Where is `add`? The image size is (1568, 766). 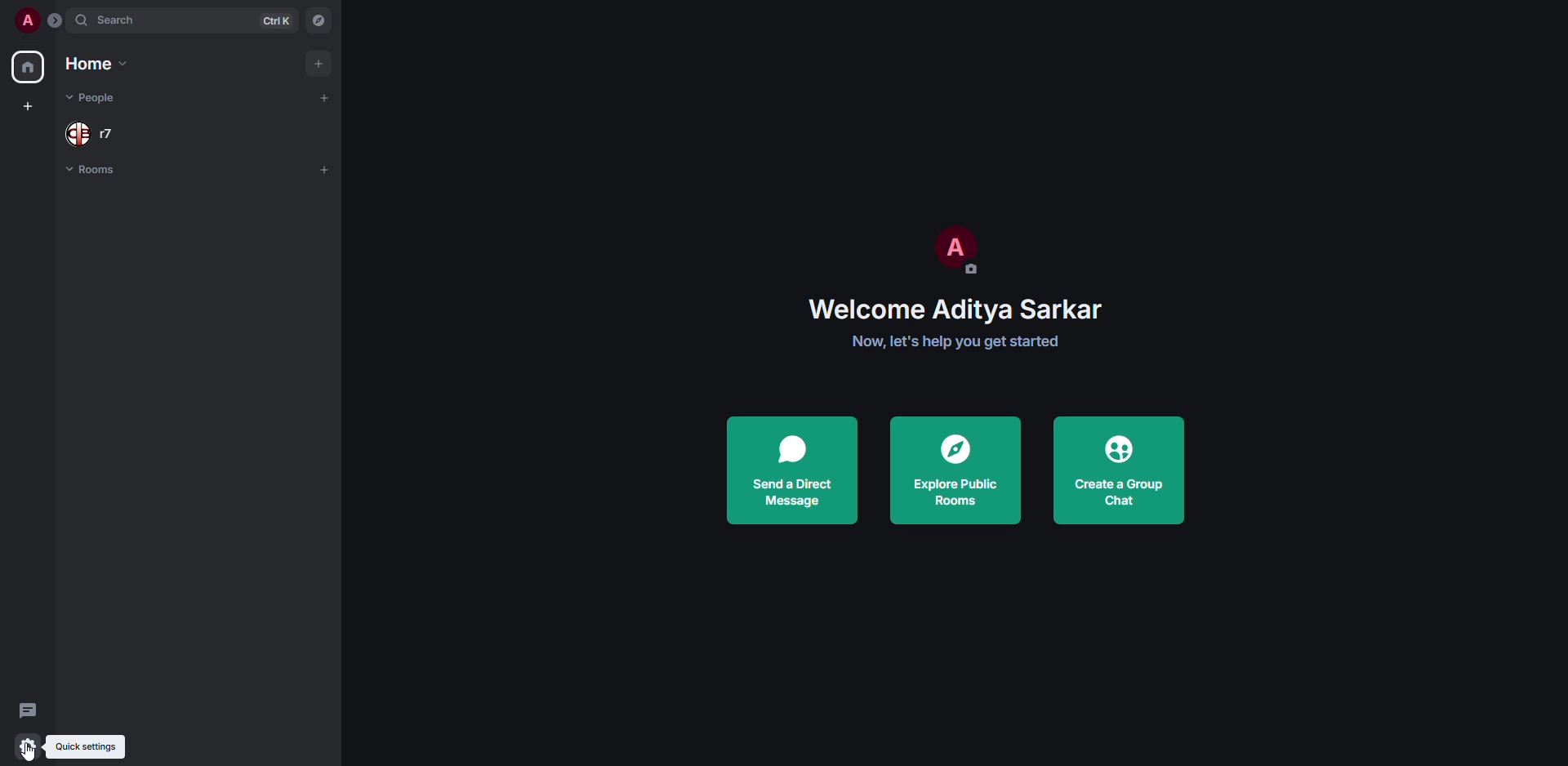 add is located at coordinates (327, 96).